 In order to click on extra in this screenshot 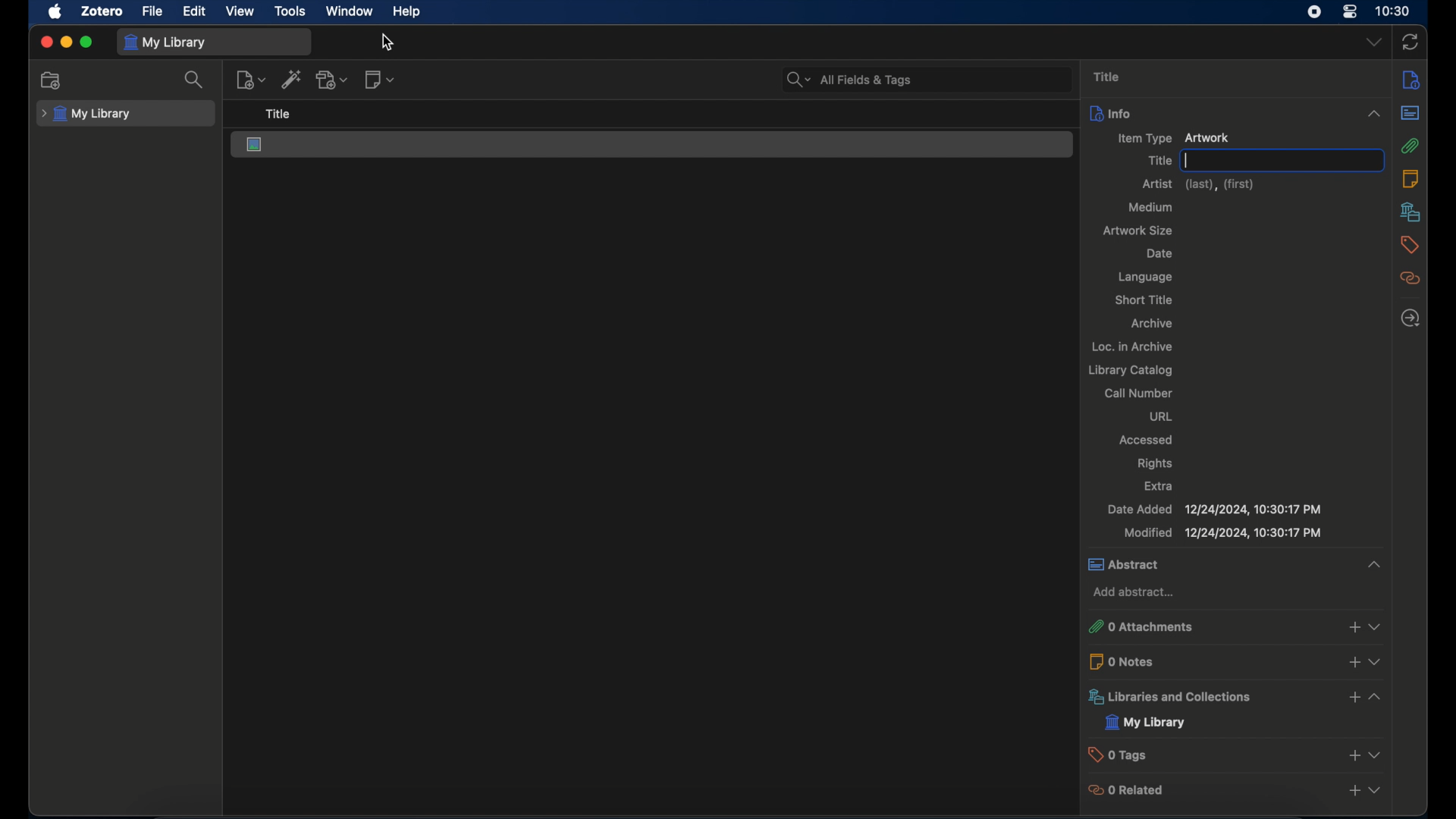, I will do `click(1159, 486)`.